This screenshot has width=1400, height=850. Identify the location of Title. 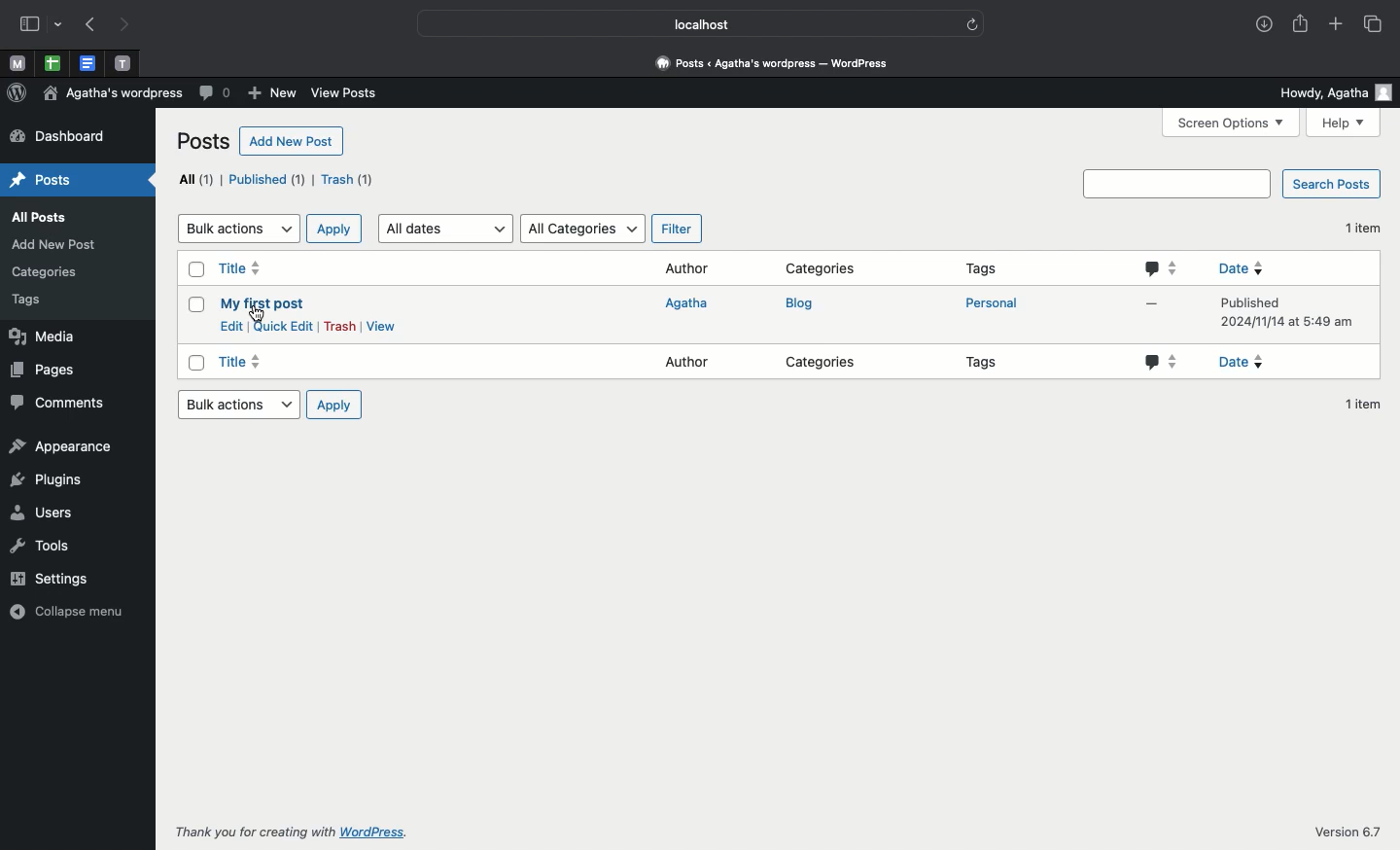
(244, 269).